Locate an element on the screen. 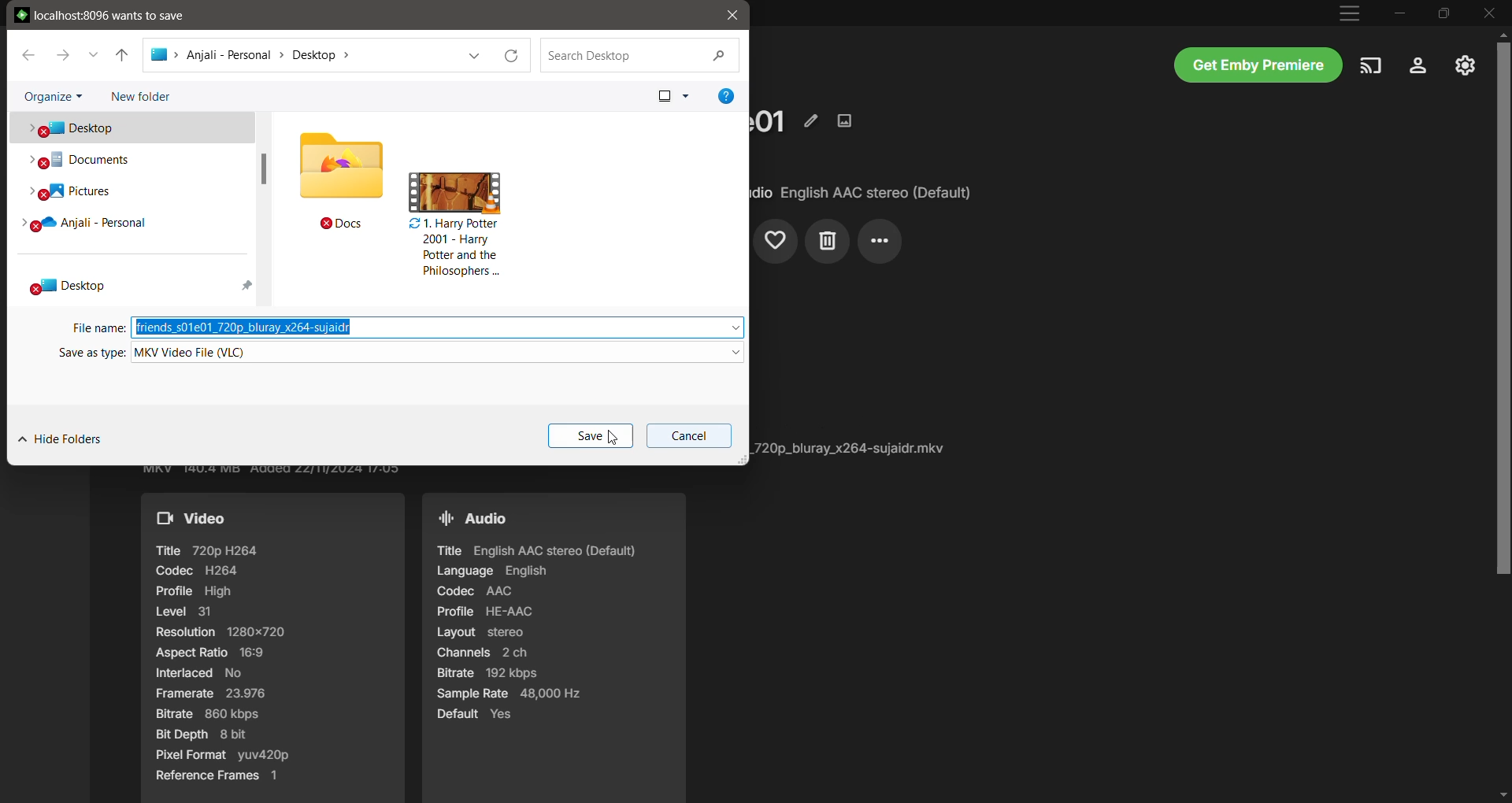  Audio details is located at coordinates (552, 647).